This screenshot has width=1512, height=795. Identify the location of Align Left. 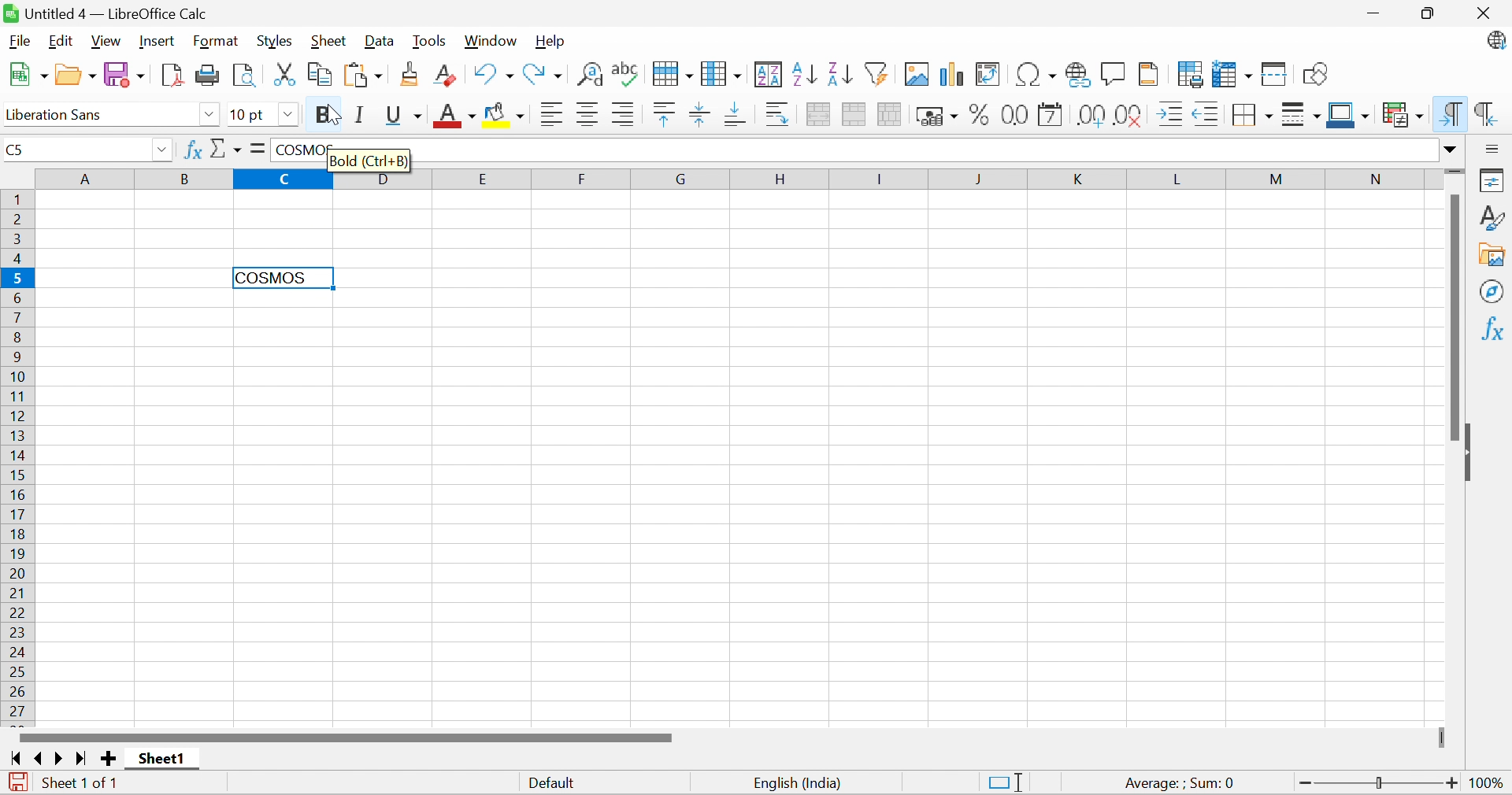
(551, 115).